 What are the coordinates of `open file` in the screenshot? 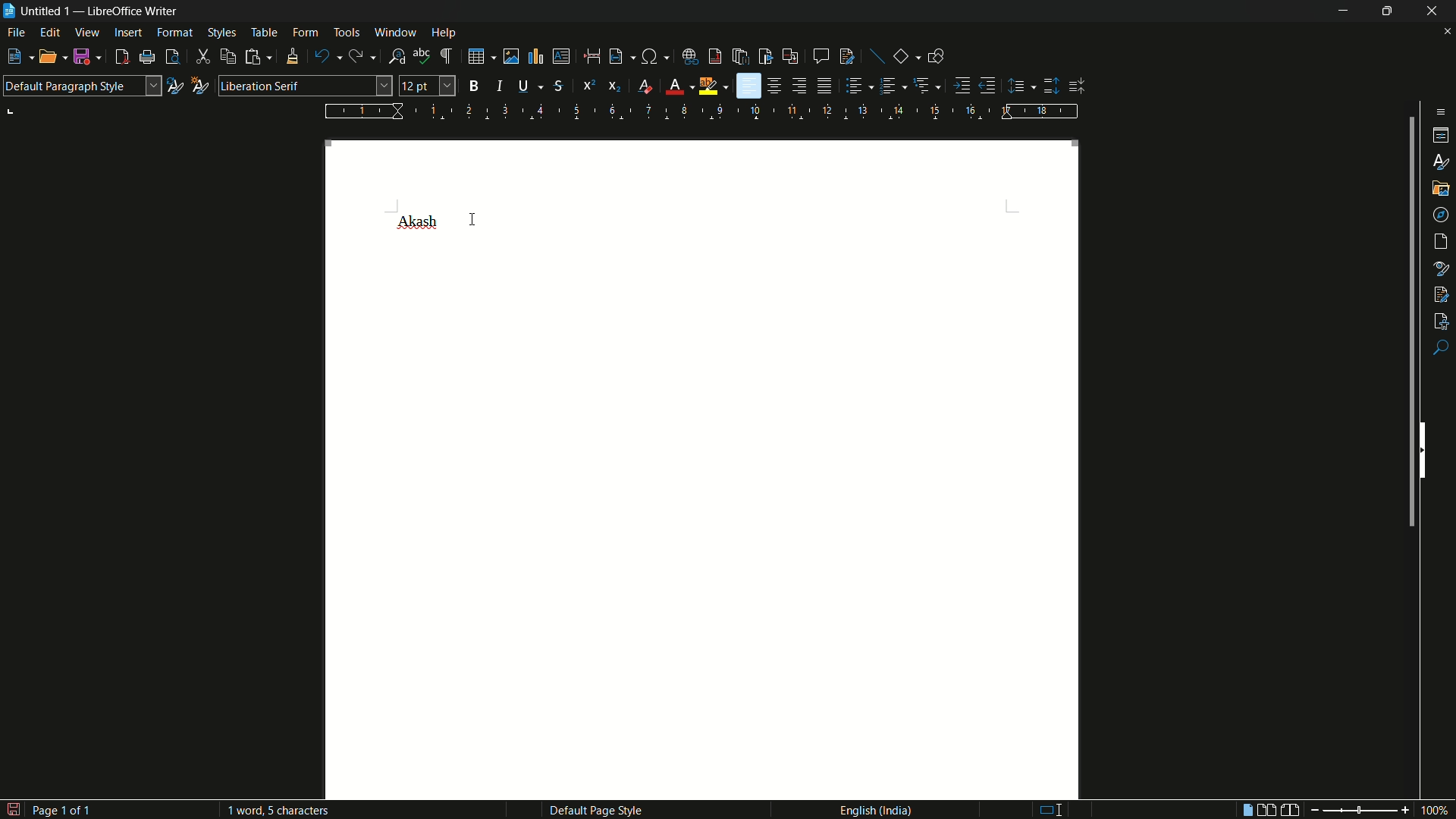 It's located at (47, 58).